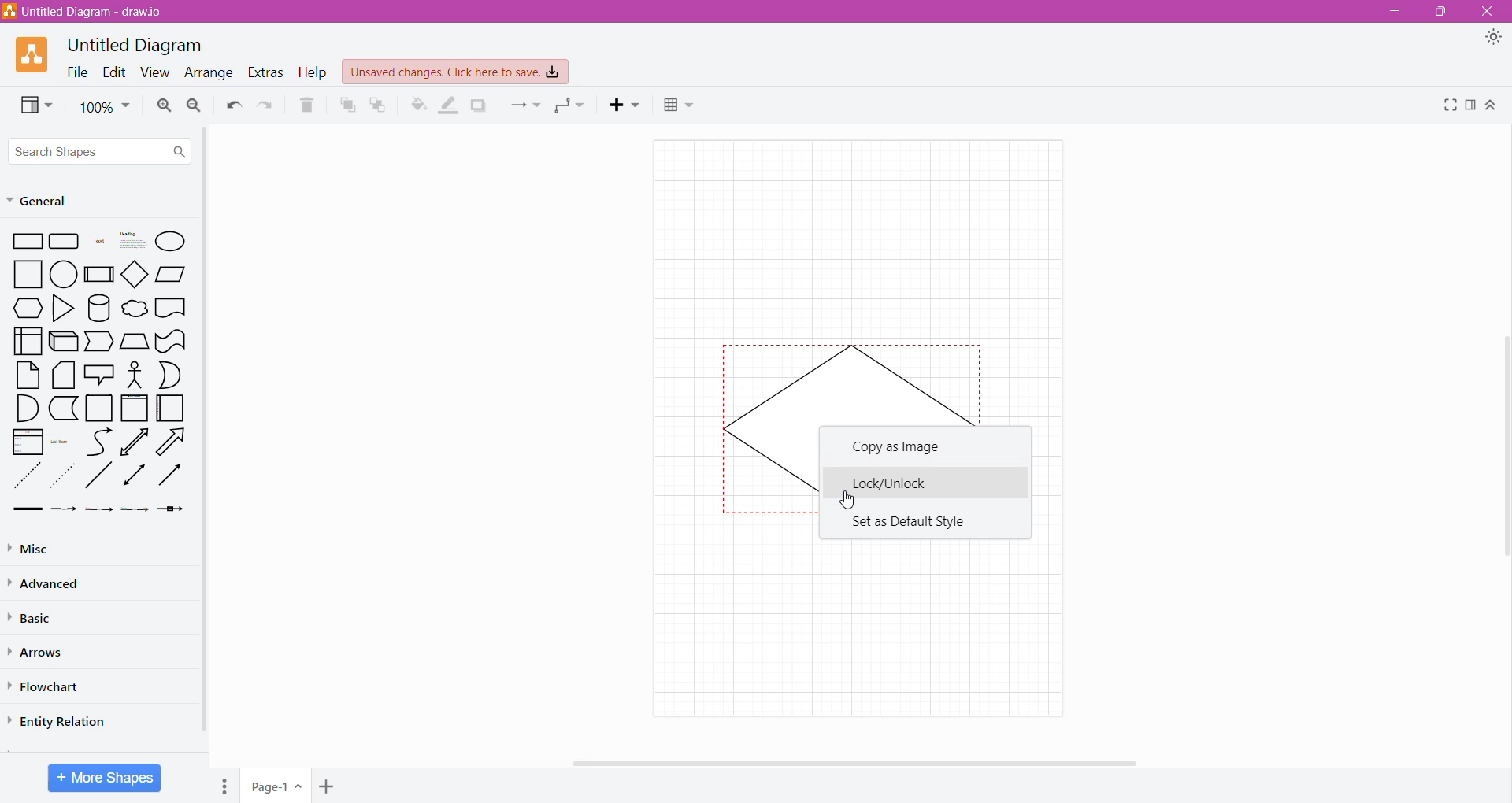 Image resolution: width=1512 pixels, height=803 pixels. What do you see at coordinates (846, 497) in the screenshot?
I see `Cursor Position` at bounding box center [846, 497].